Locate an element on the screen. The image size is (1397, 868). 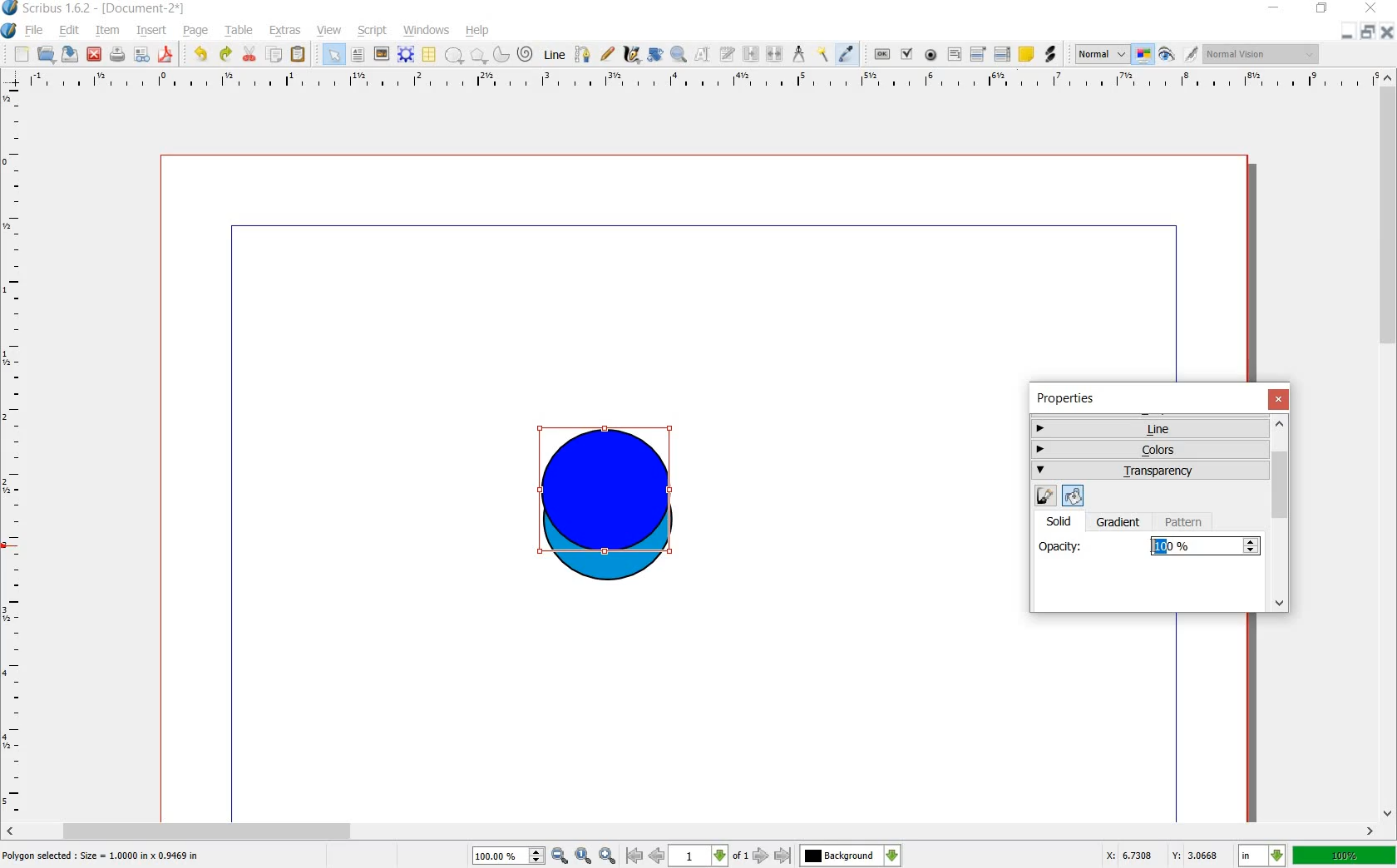
edit text with story editor is located at coordinates (728, 56).